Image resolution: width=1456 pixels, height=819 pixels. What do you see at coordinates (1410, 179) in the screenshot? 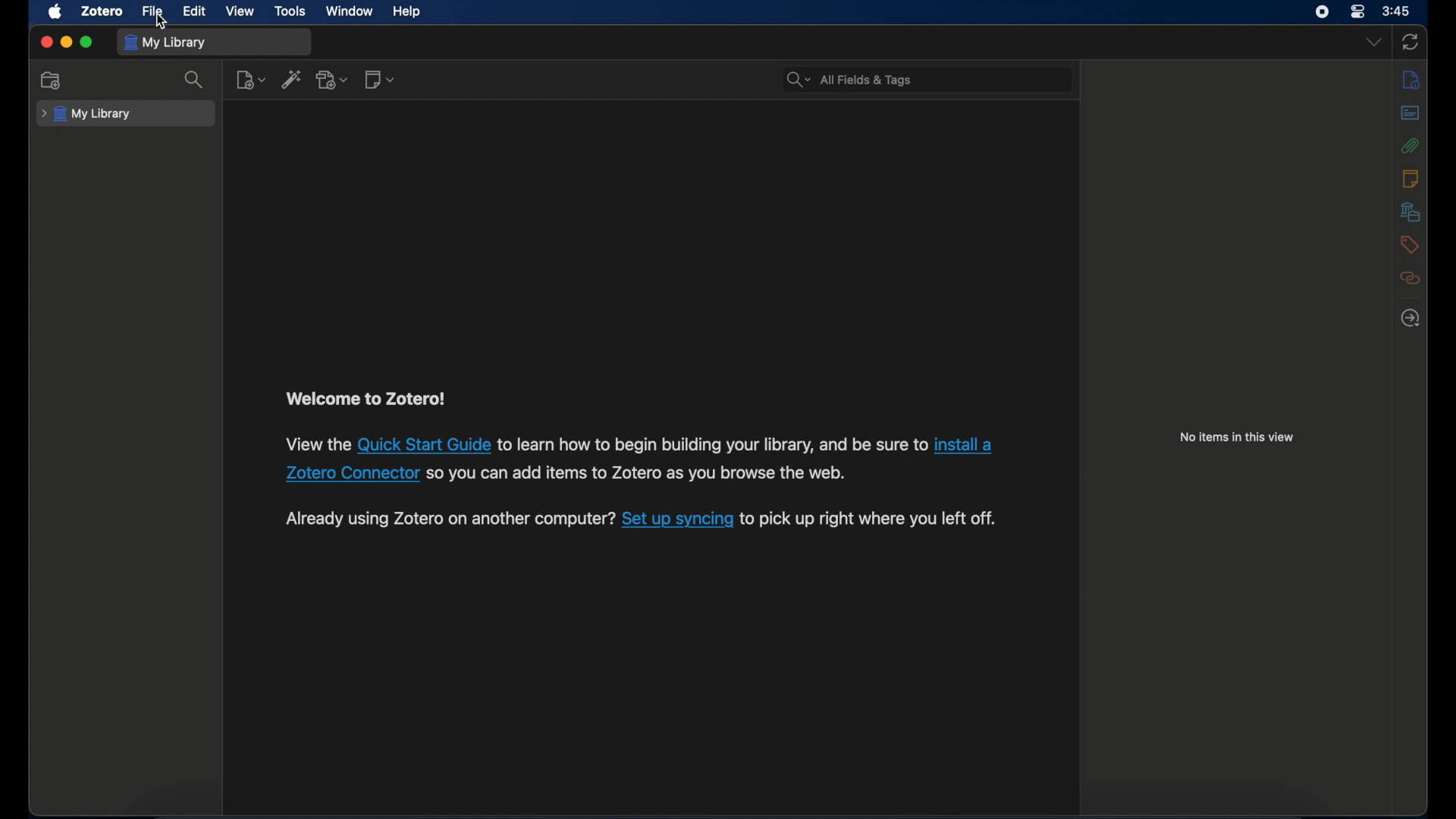
I see `notes` at bounding box center [1410, 179].